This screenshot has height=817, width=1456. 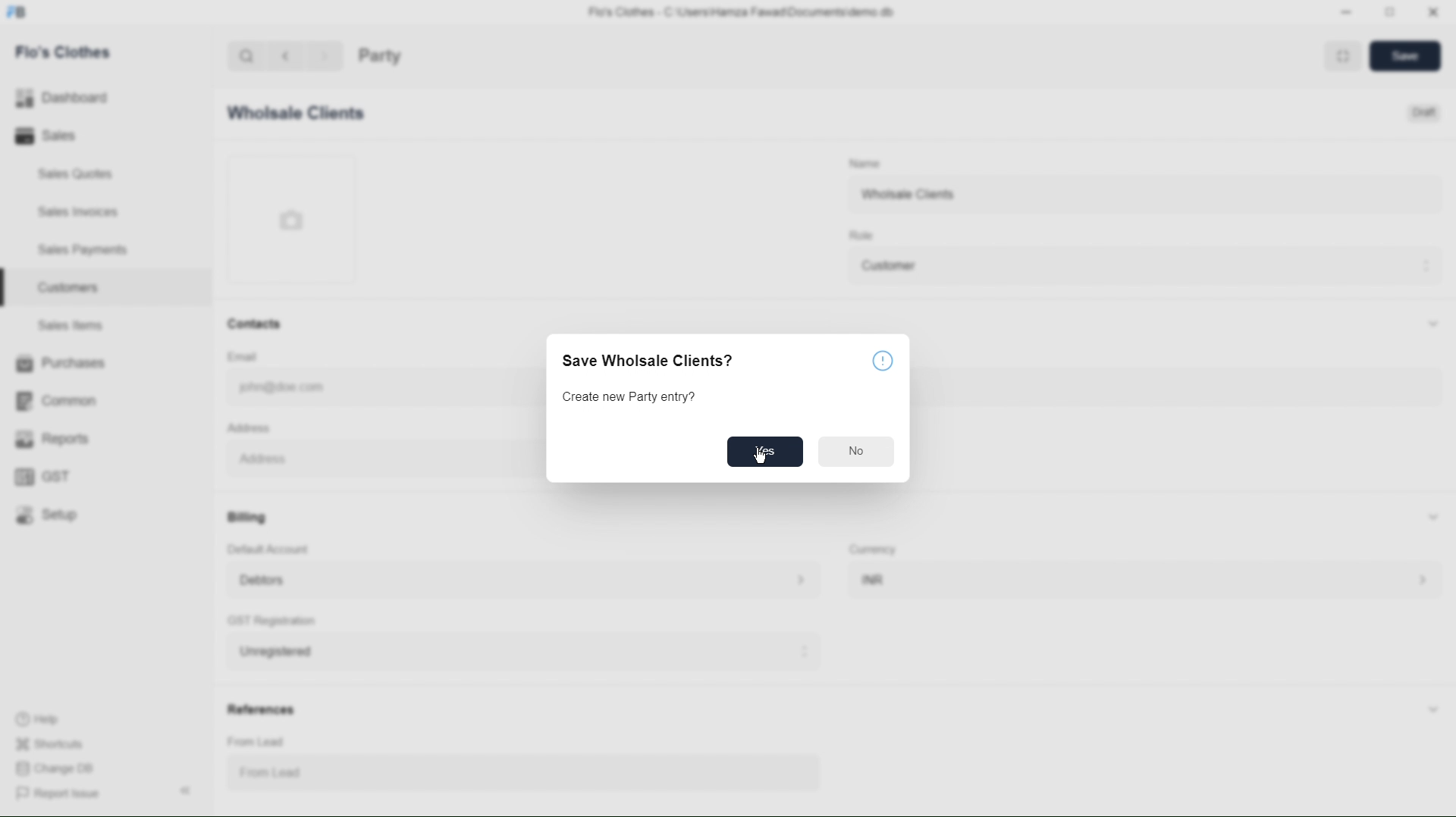 What do you see at coordinates (856, 448) in the screenshot?
I see `No` at bounding box center [856, 448].